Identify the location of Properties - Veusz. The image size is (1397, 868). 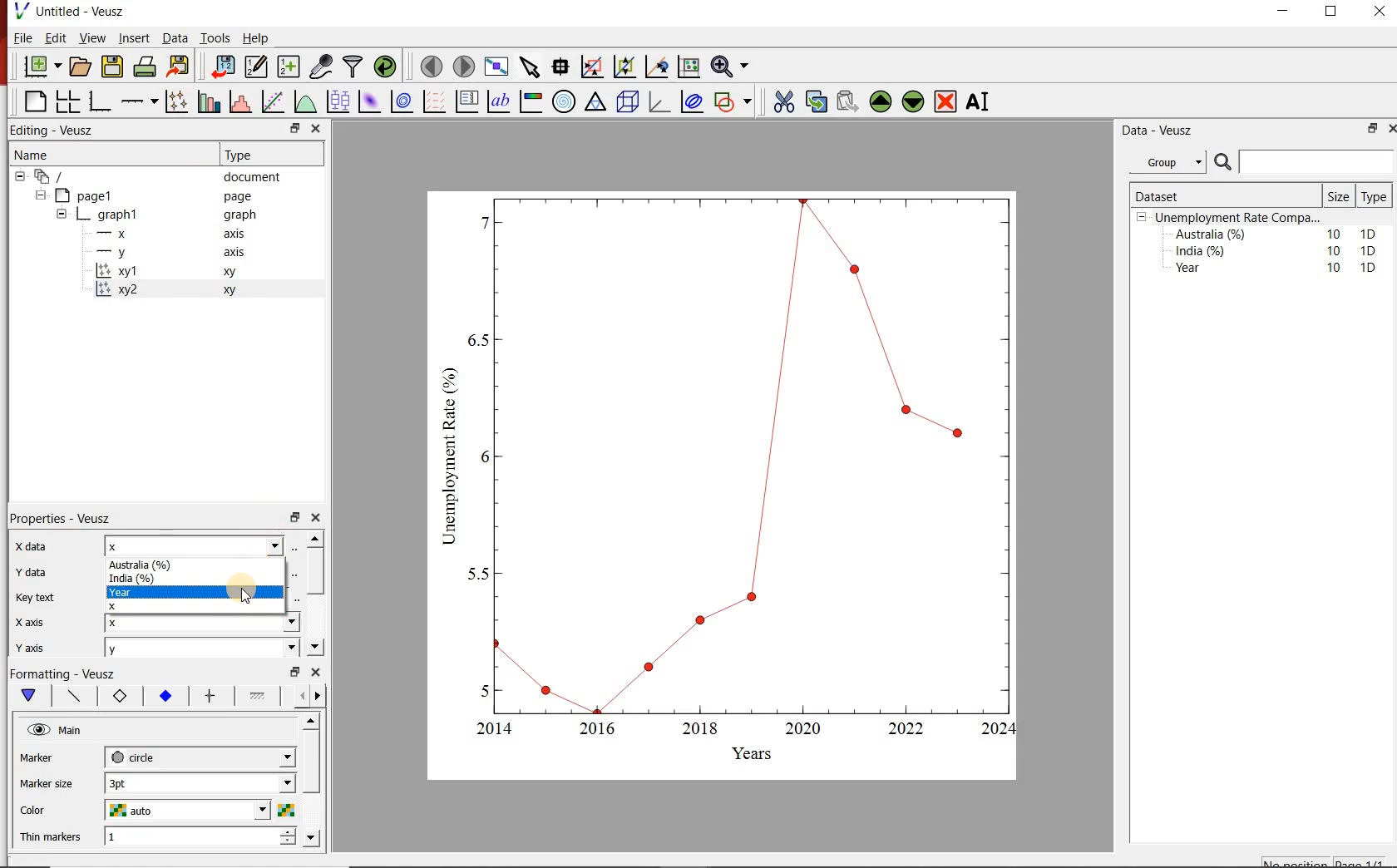
(63, 520).